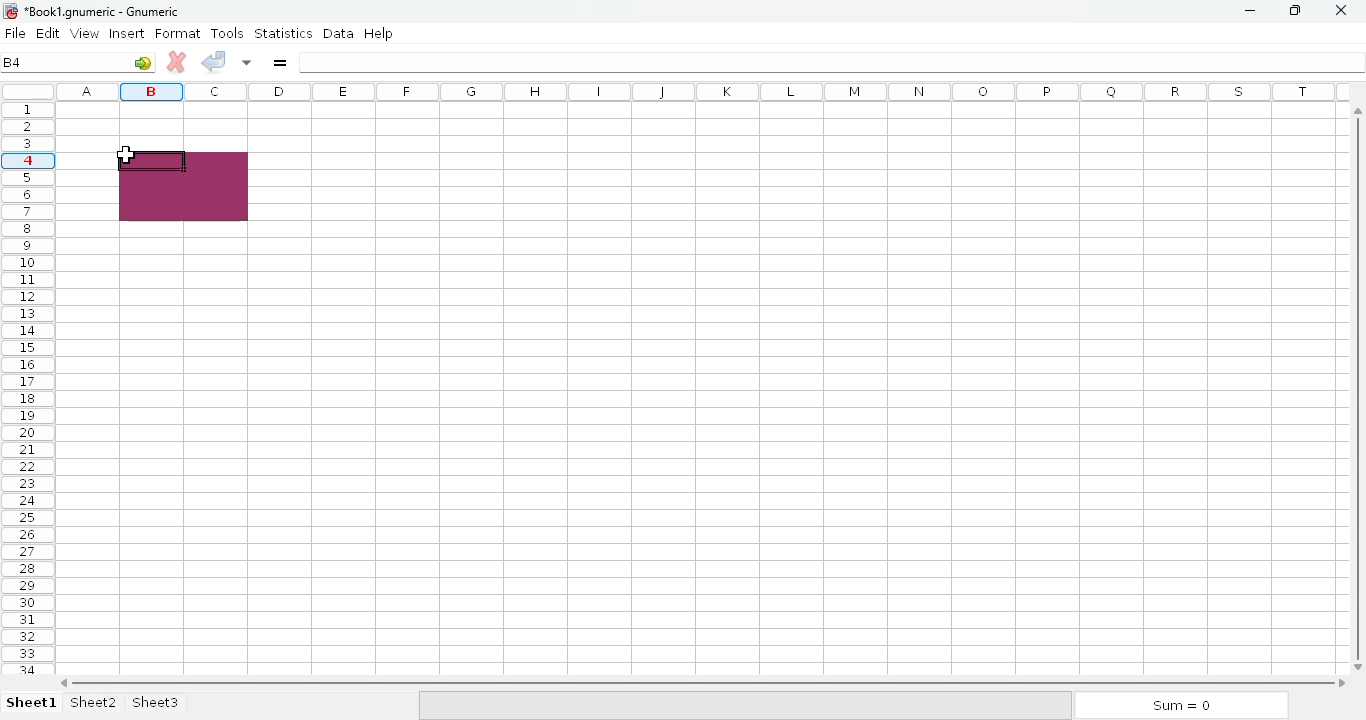  I want to click on close, so click(1341, 17).